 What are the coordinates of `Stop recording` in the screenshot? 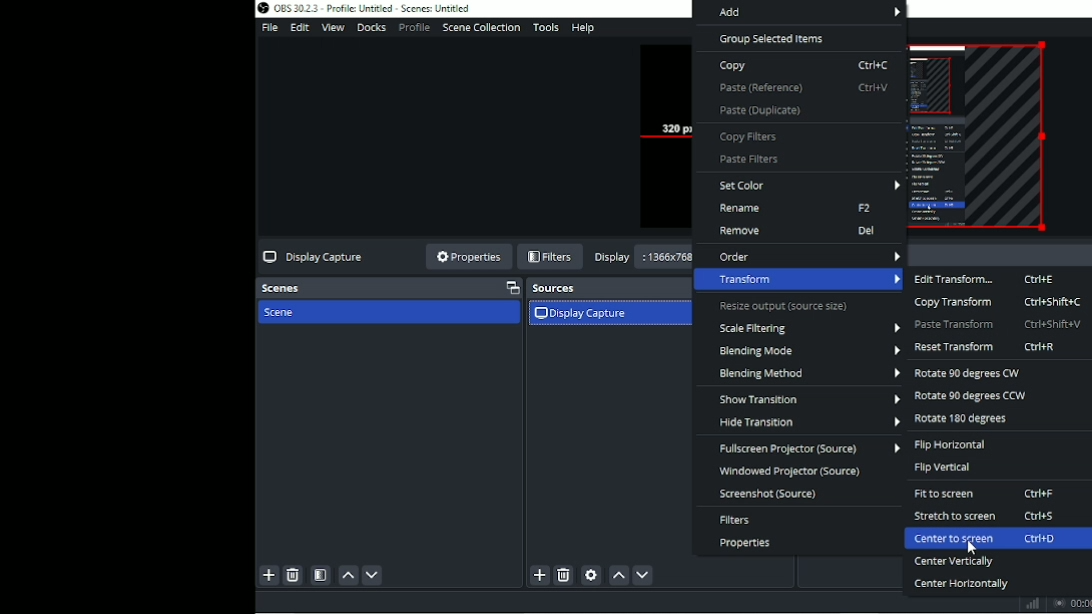 It's located at (1070, 602).